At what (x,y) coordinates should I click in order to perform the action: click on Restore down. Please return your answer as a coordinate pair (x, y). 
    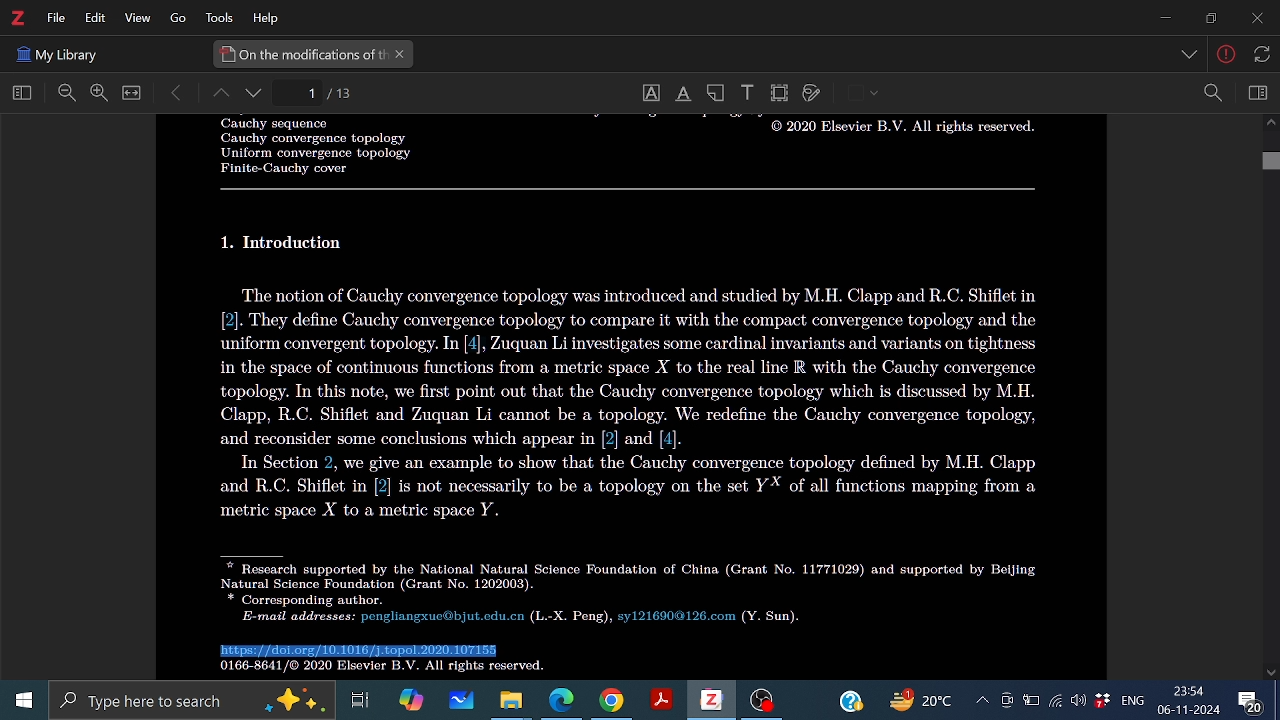
    Looking at the image, I should click on (1208, 18).